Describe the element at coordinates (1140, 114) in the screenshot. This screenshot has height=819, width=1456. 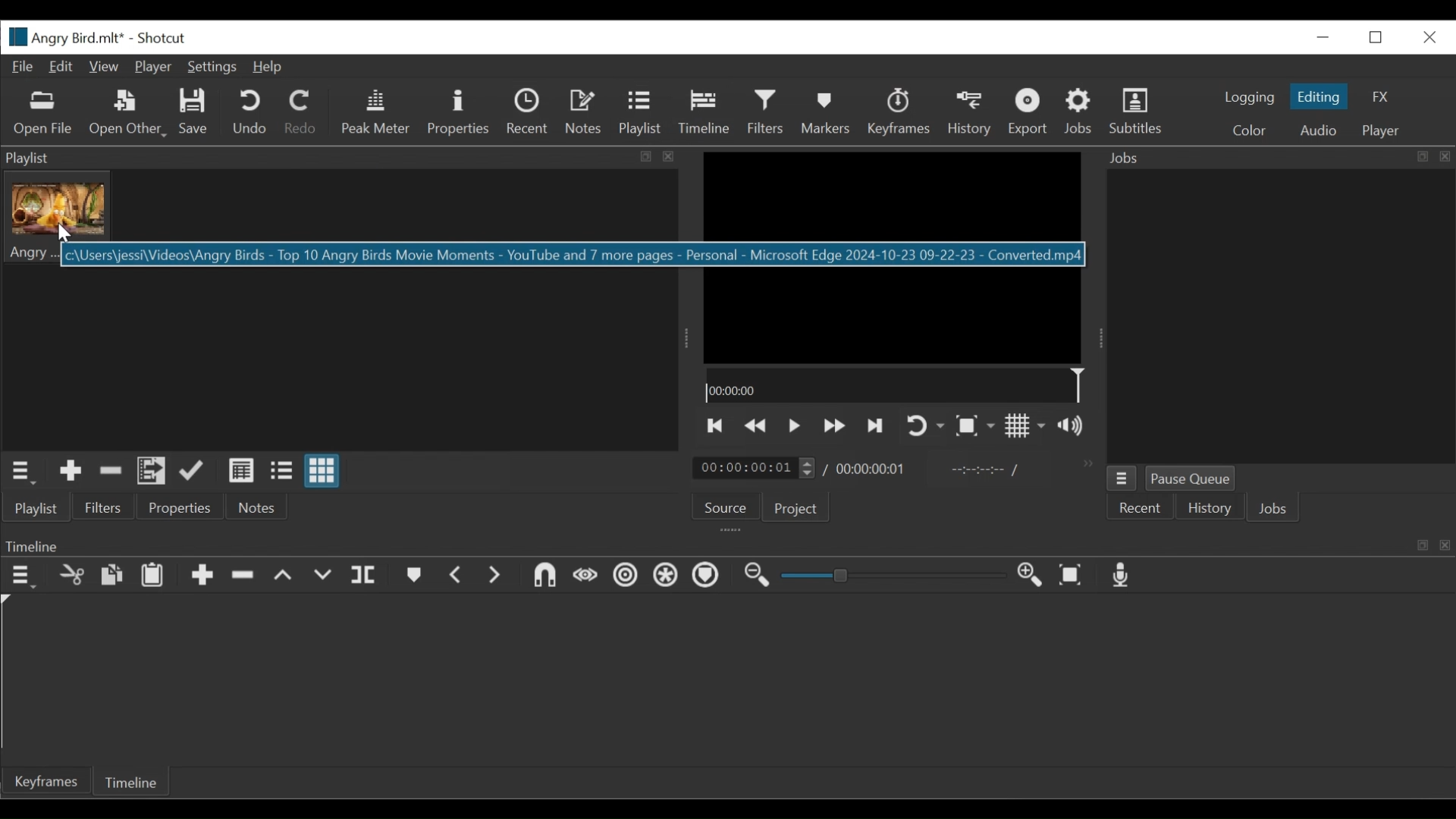
I see `Subtitles` at that location.